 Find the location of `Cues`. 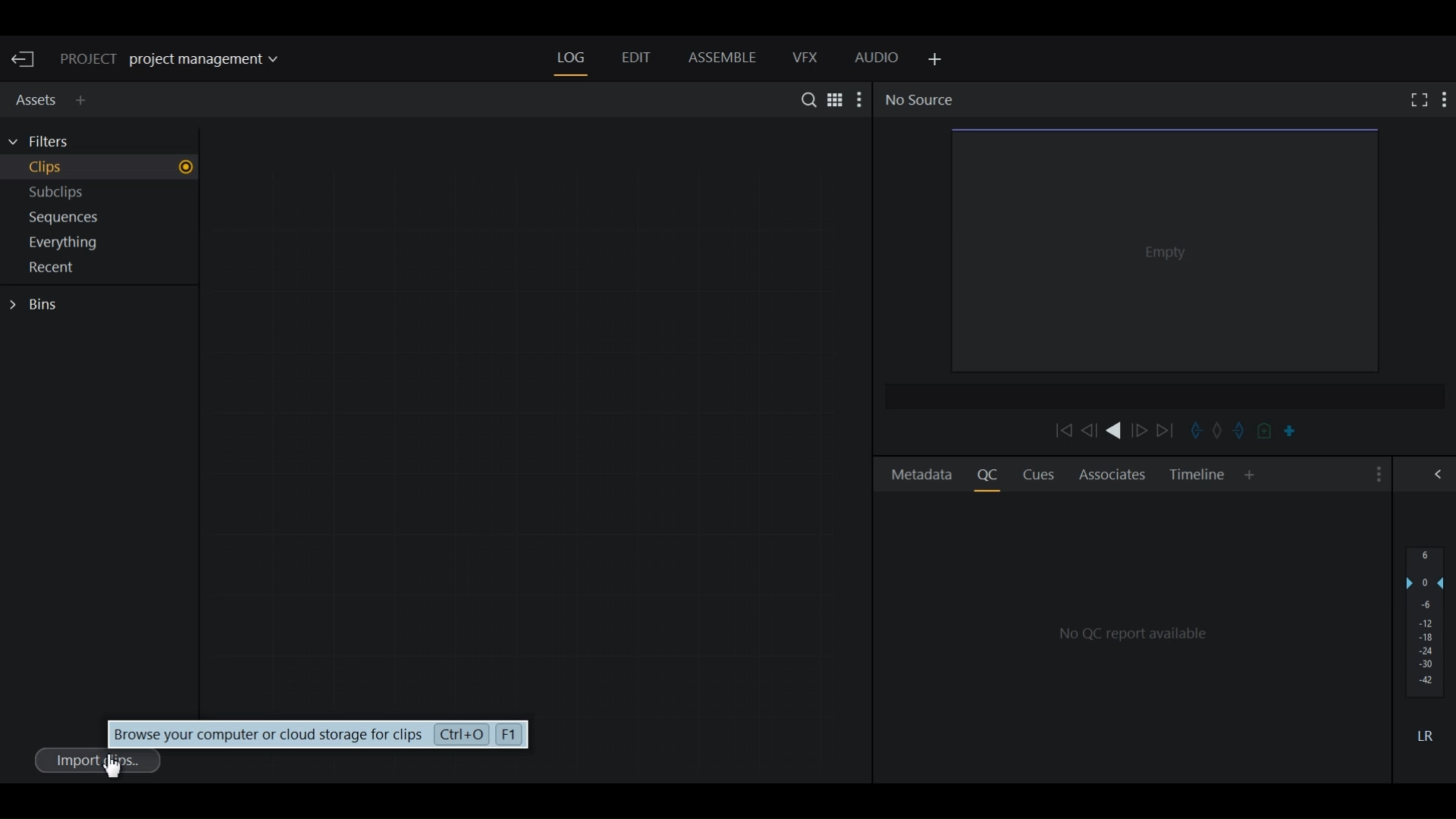

Cues is located at coordinates (1040, 475).